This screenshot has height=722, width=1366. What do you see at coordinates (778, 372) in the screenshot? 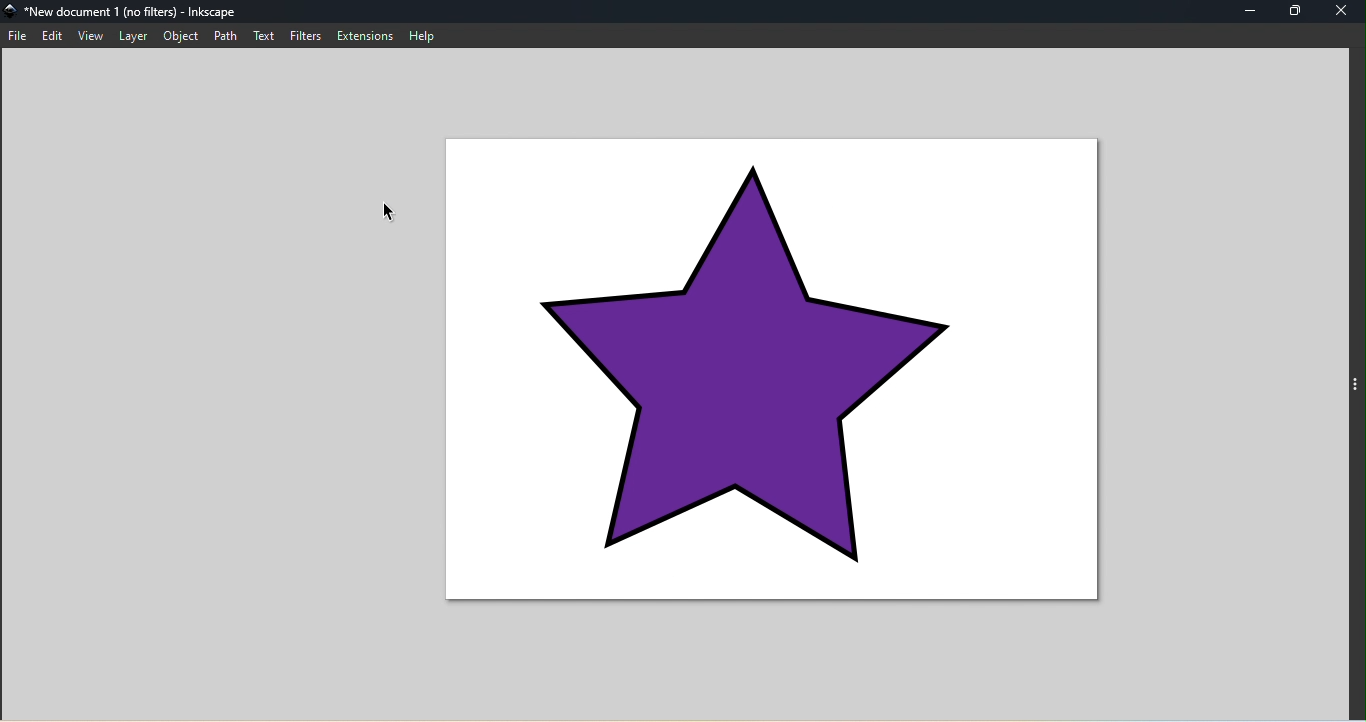
I see `Canvas` at bounding box center [778, 372].